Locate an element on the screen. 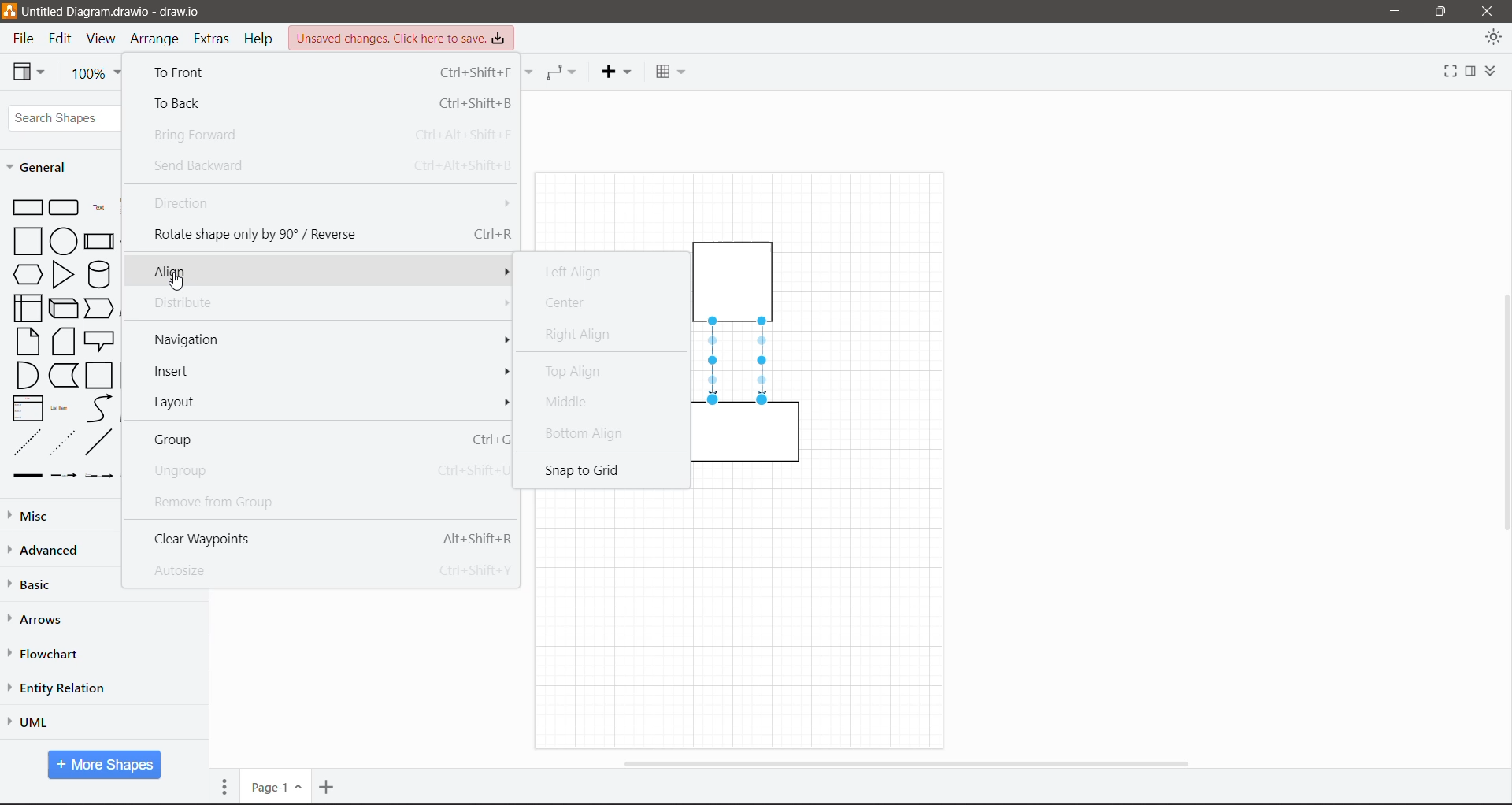 The height and width of the screenshot is (805, 1512). Directional Connector is located at coordinates (714, 362).